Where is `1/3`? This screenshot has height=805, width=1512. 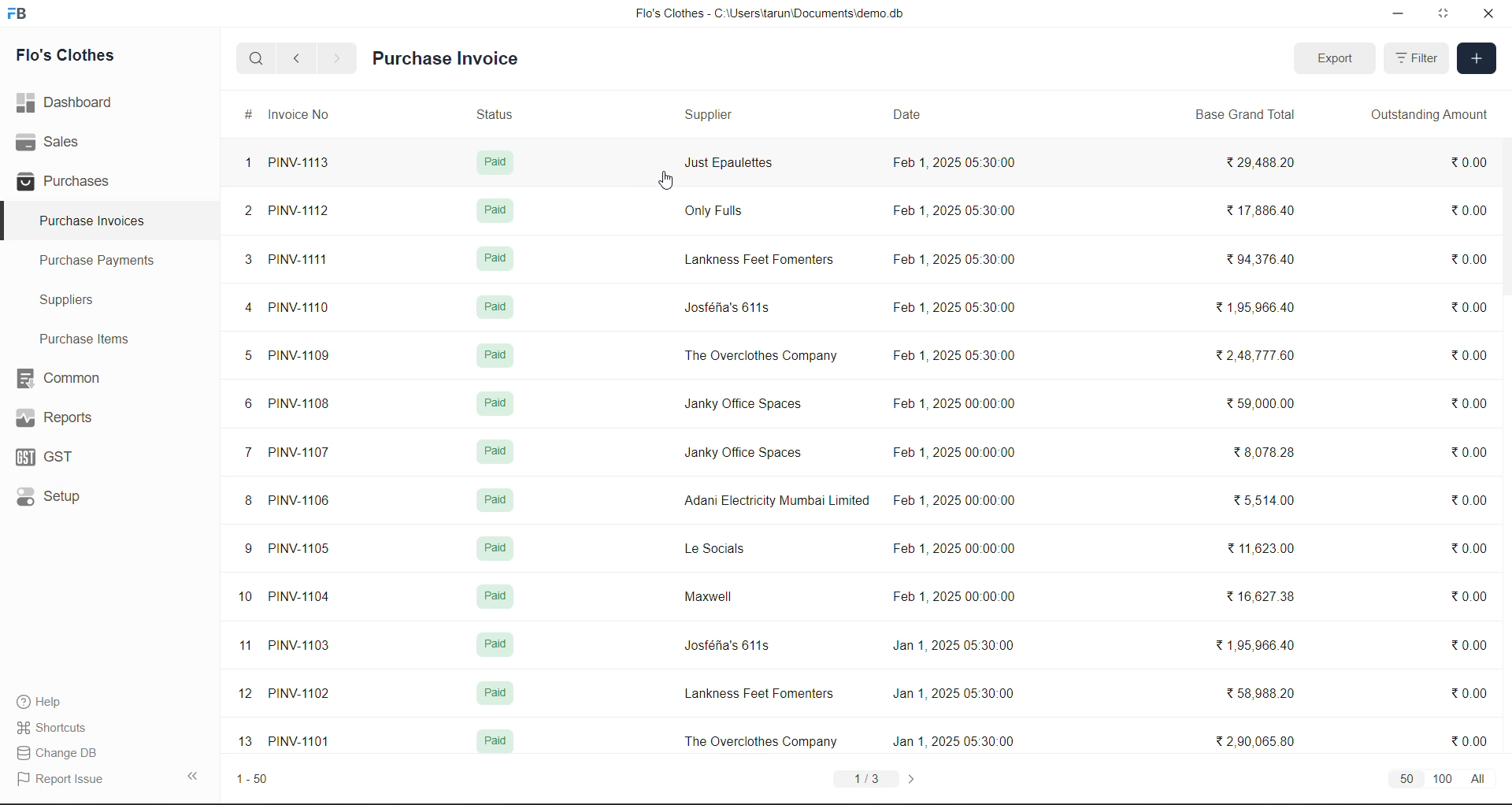
1/3 is located at coordinates (867, 778).